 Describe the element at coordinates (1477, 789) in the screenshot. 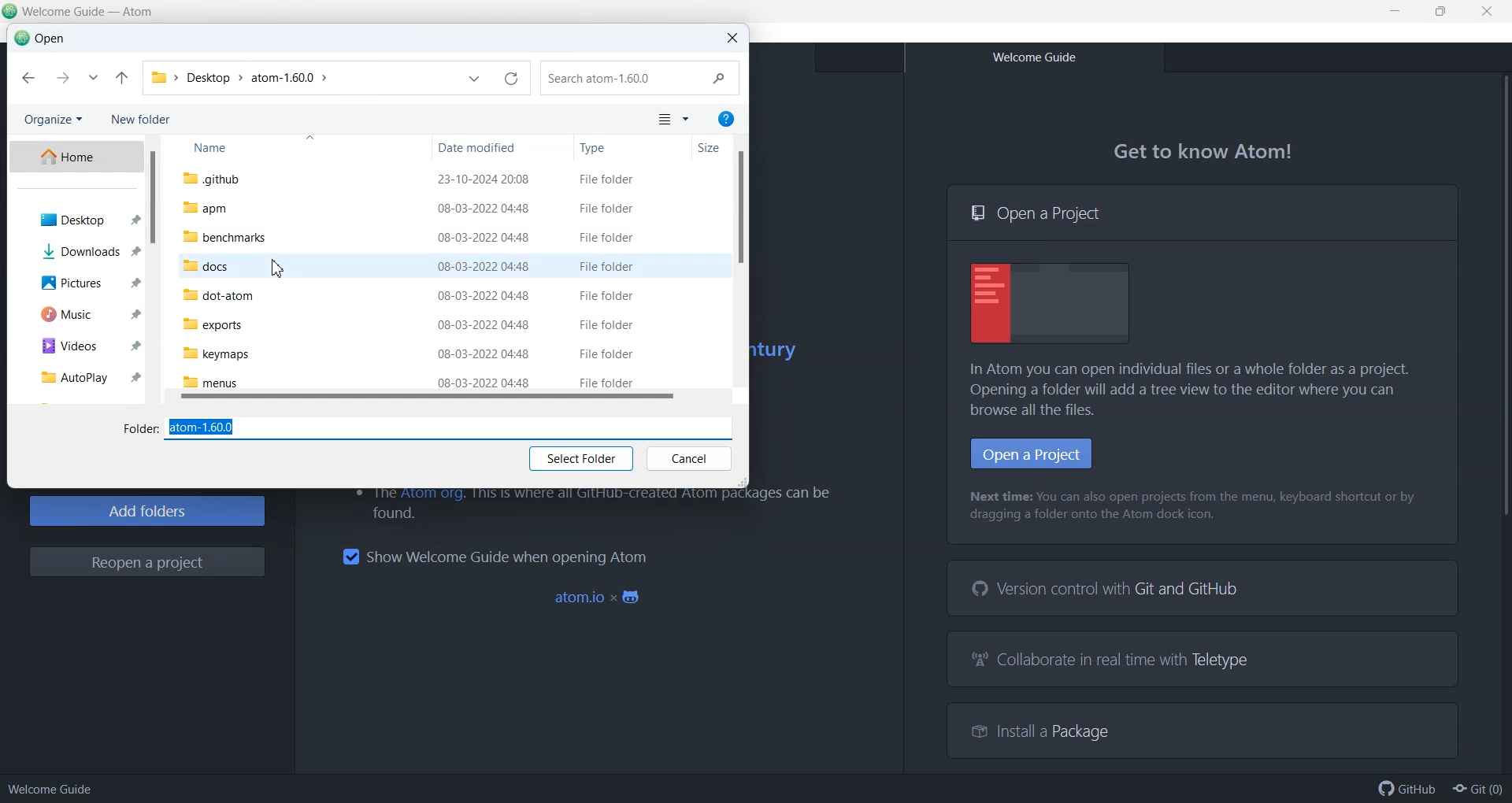

I see `Git(0)` at that location.